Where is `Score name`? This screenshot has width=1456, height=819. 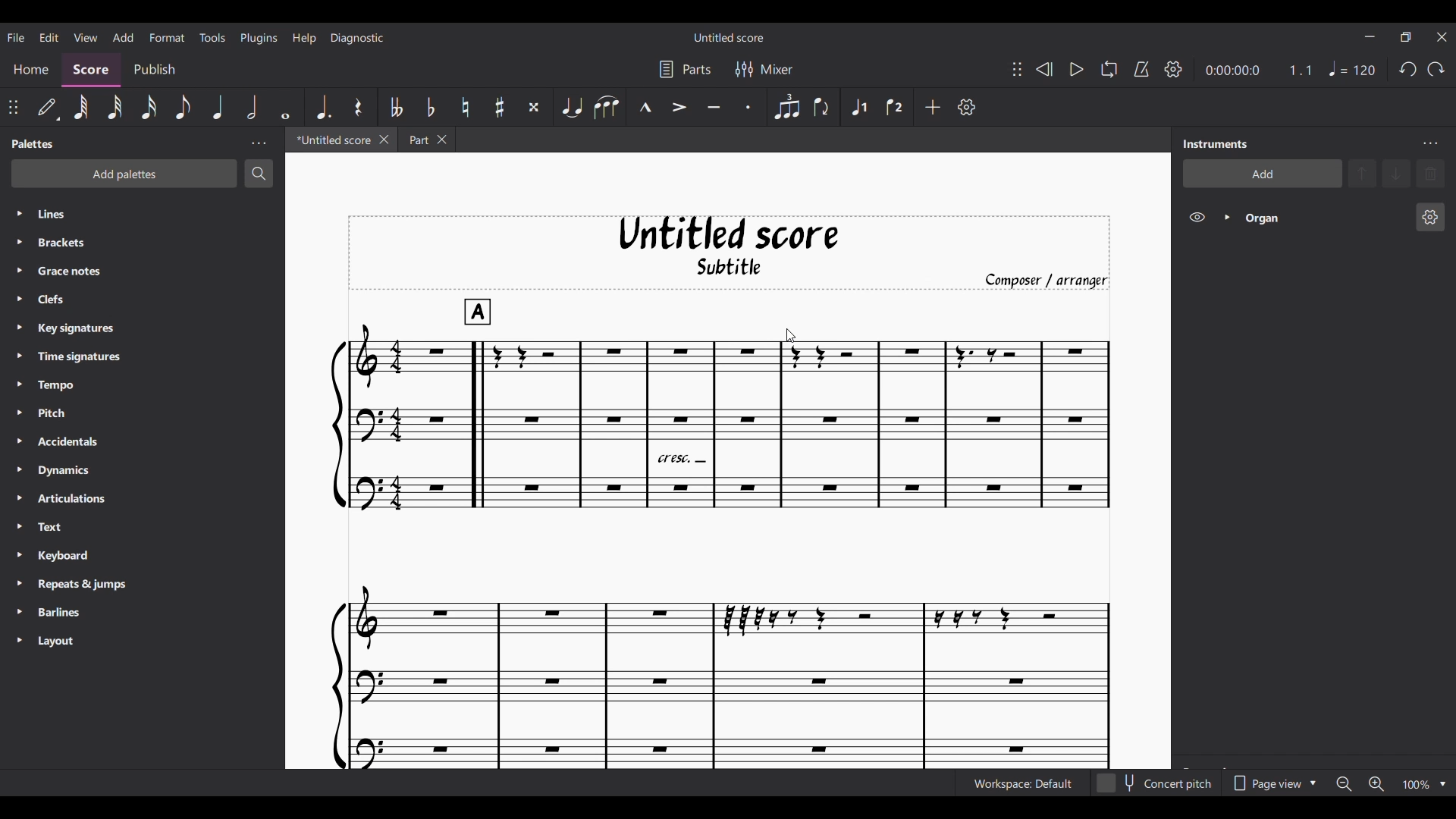
Score name is located at coordinates (730, 36).